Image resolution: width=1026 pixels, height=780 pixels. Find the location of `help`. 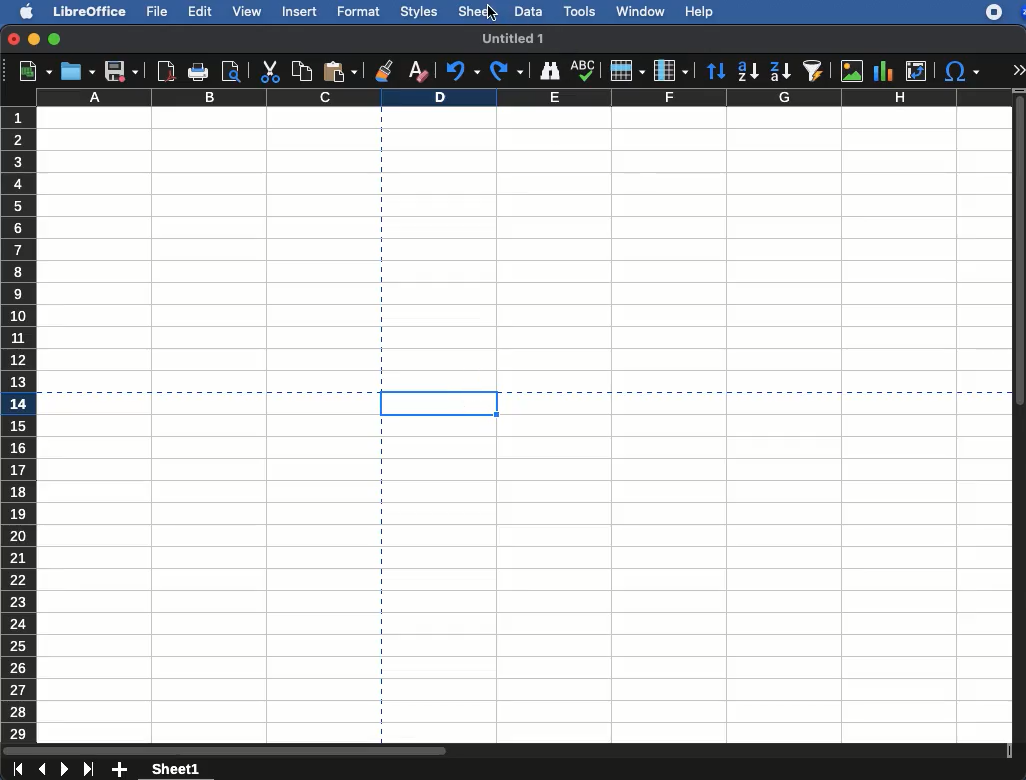

help is located at coordinates (700, 12).